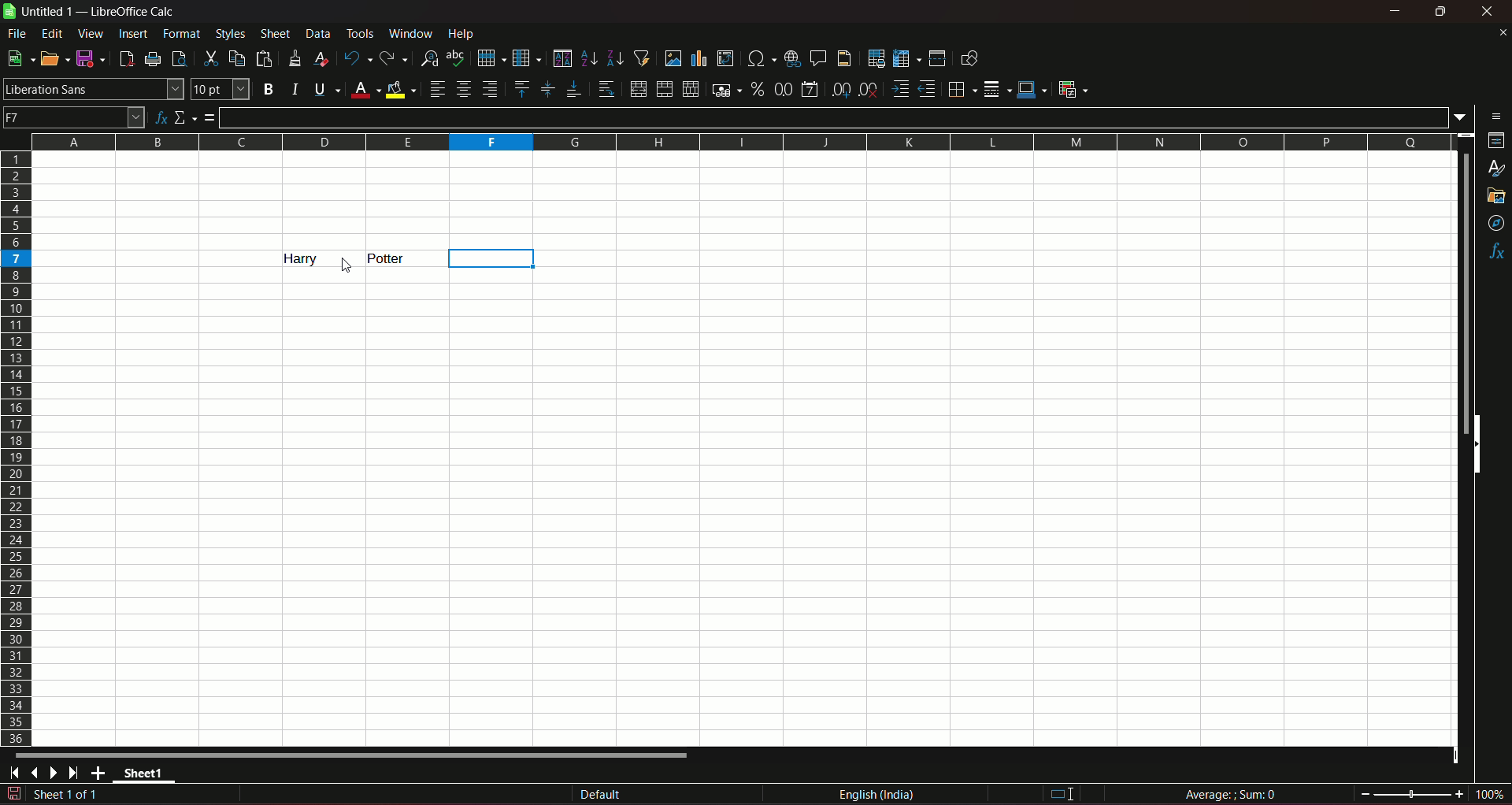 The width and height of the screenshot is (1512, 805). I want to click on scroll to previous, so click(36, 774).